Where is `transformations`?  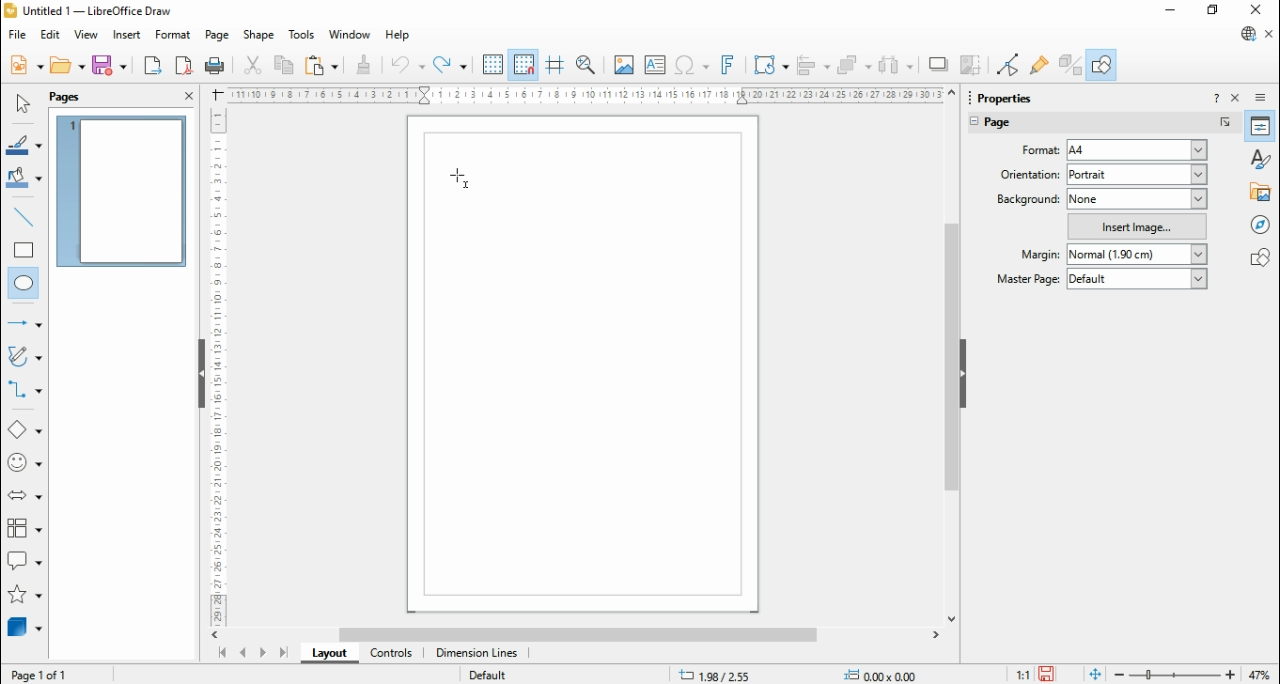 transformations is located at coordinates (769, 66).